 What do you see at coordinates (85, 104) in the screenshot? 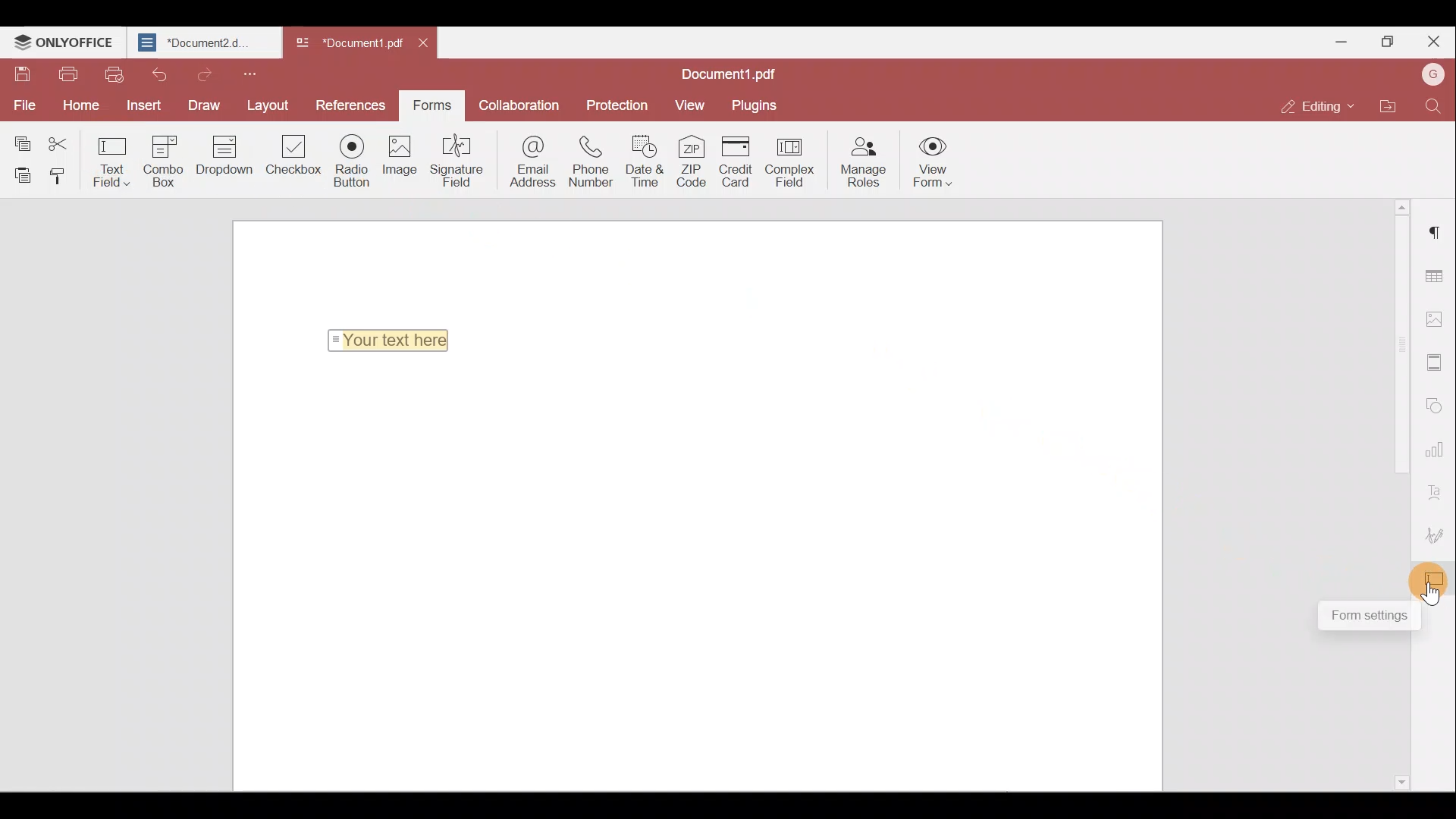
I see `Home` at bounding box center [85, 104].